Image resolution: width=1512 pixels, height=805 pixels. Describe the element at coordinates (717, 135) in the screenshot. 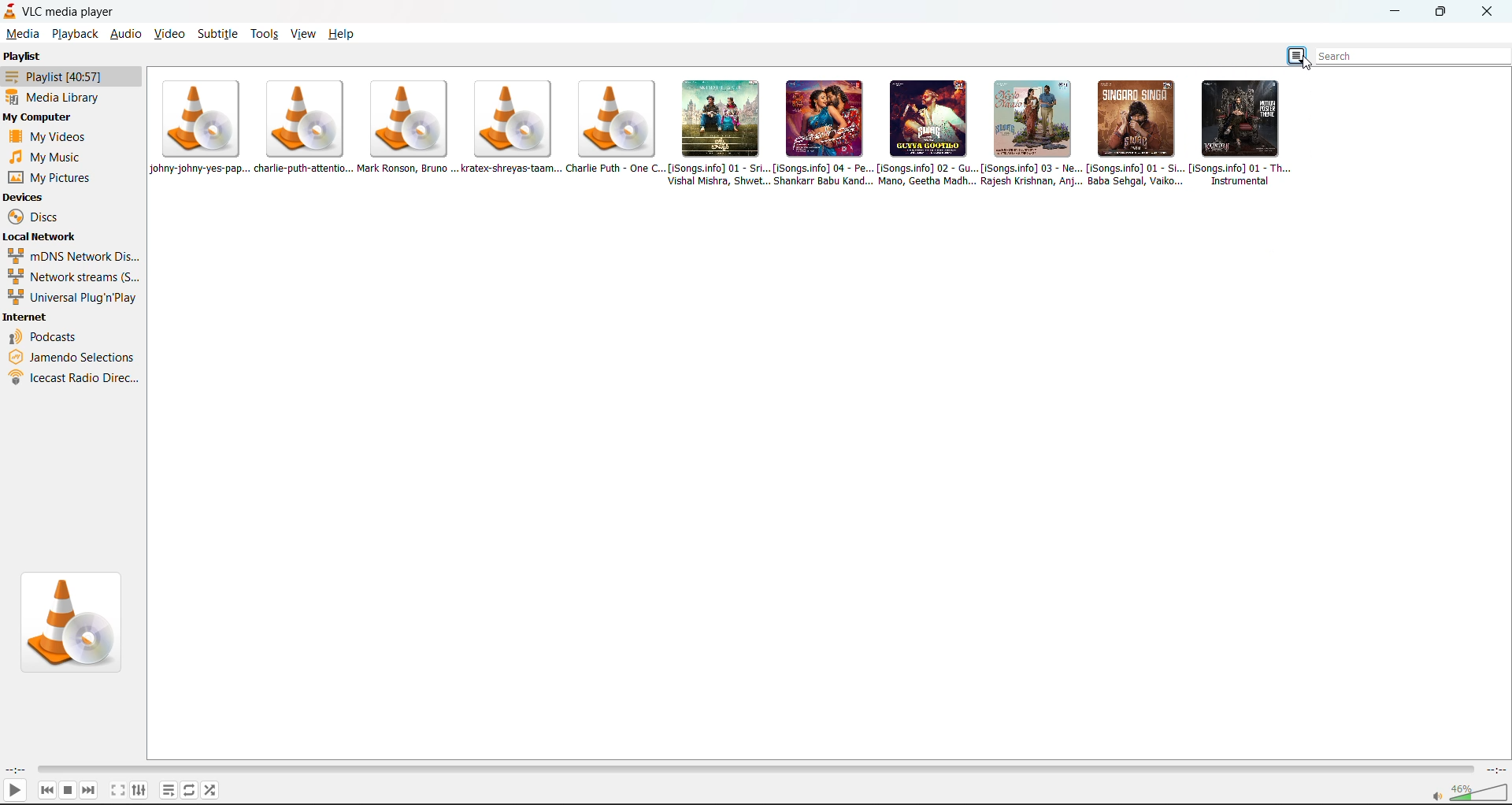

I see `track title and preview` at that location.